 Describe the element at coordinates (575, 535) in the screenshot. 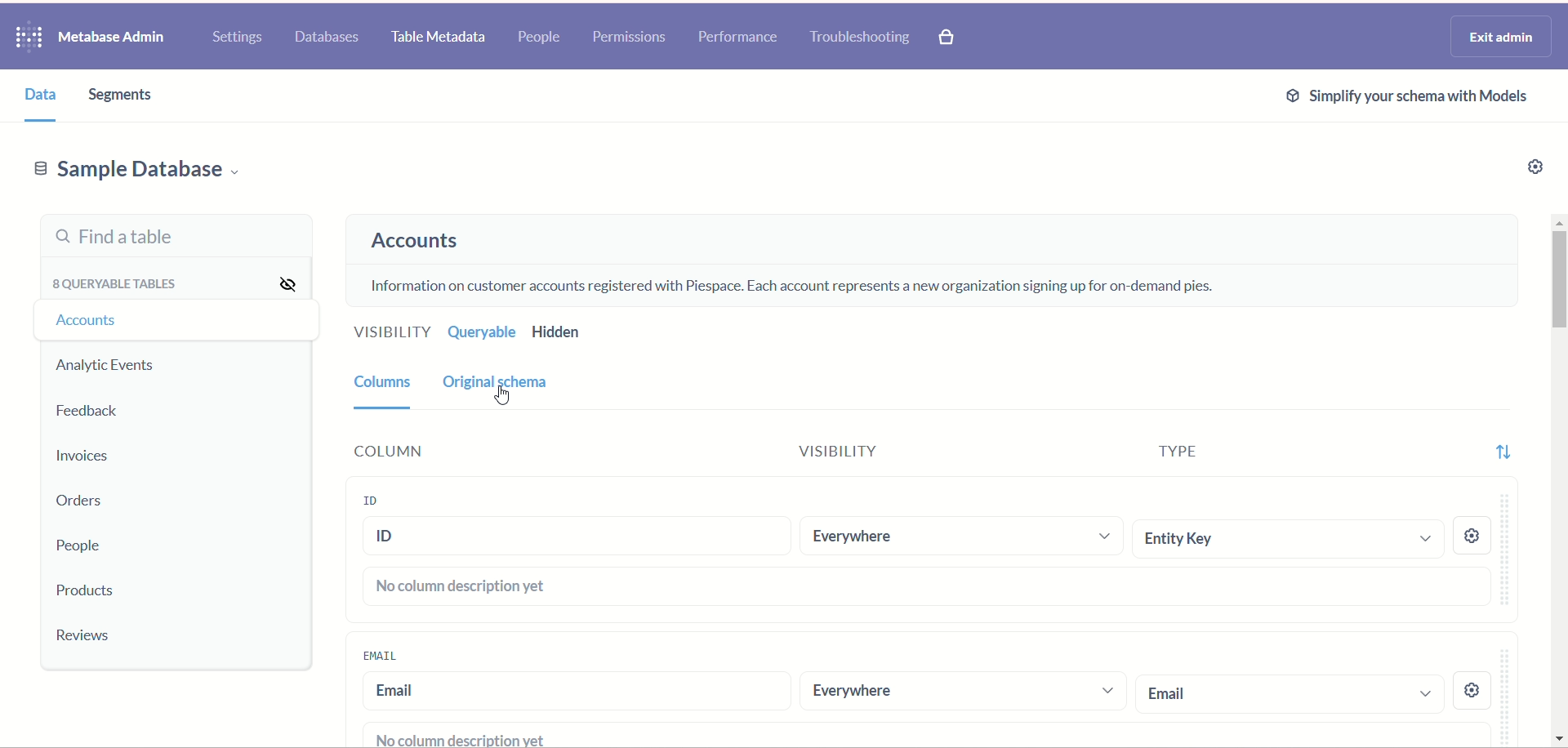

I see `ID` at that location.